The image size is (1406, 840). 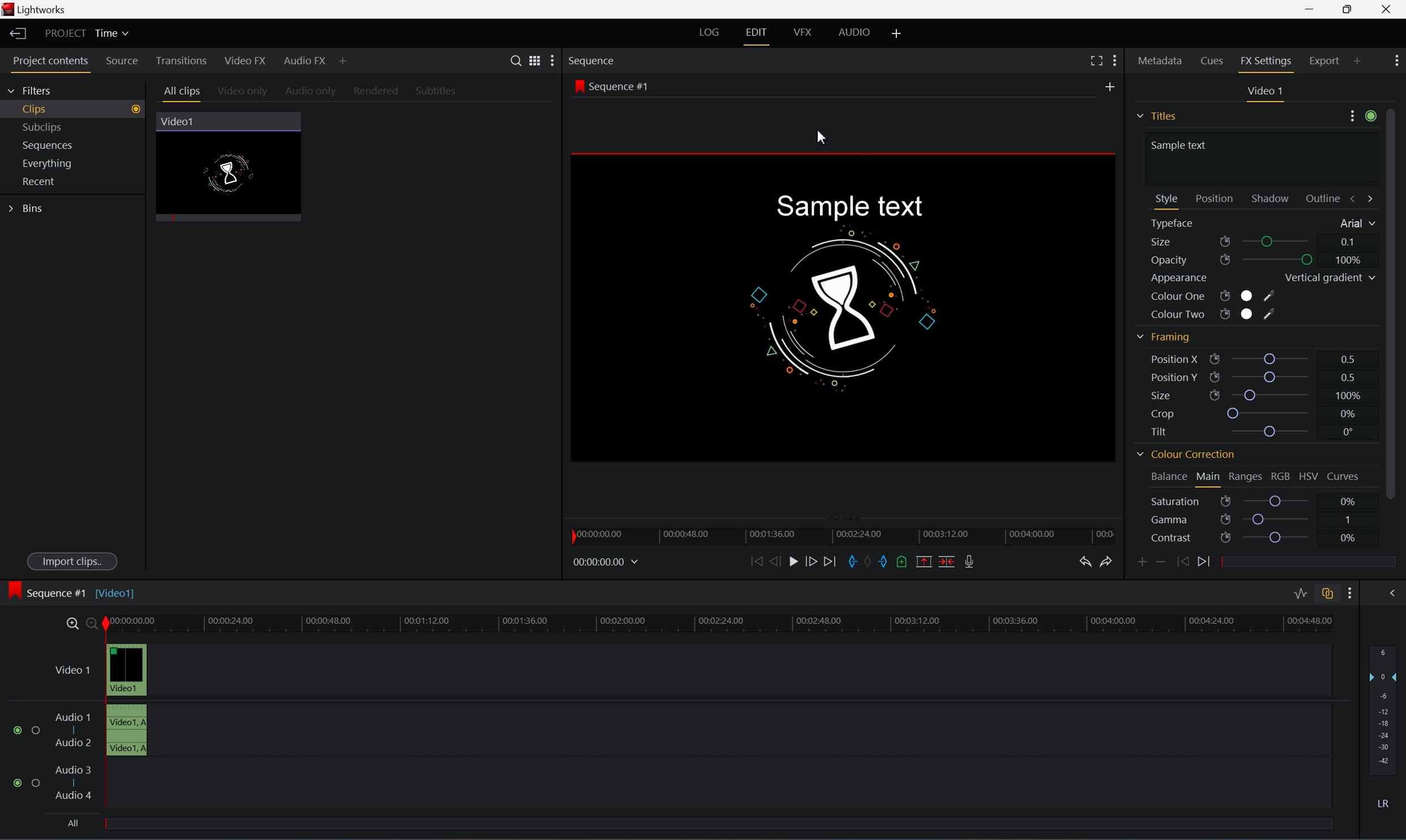 I want to click on Sample text, so click(x=847, y=207).